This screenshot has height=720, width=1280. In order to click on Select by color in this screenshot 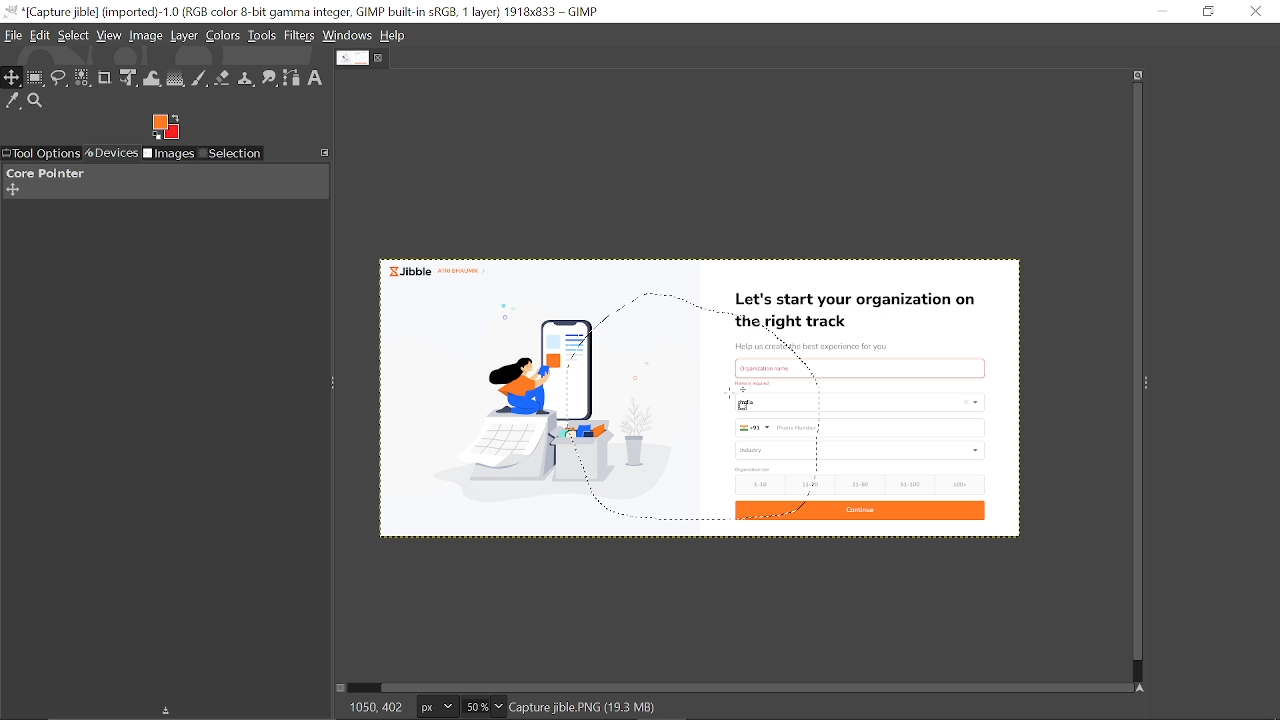, I will do `click(83, 79)`.